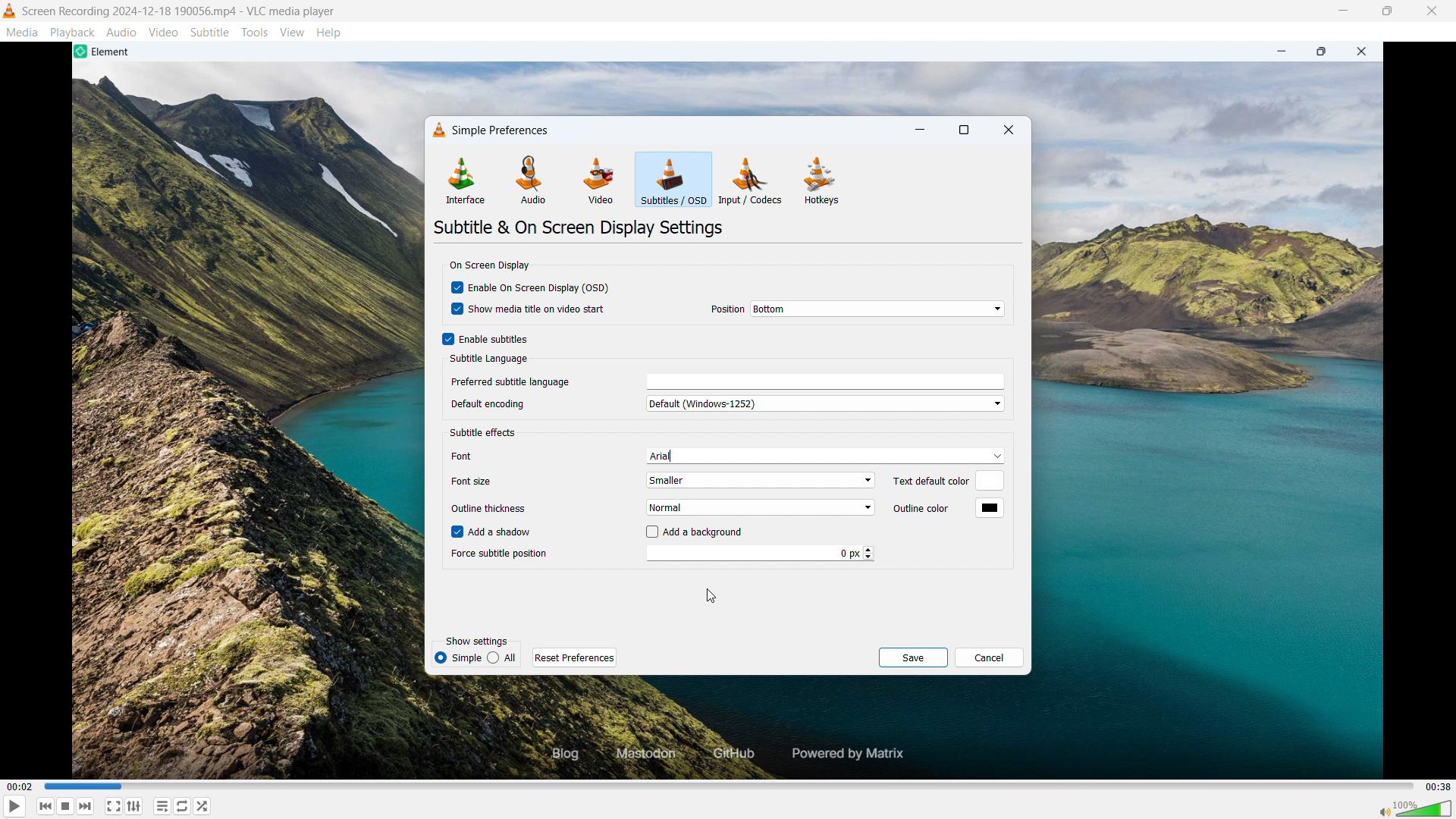 Image resolution: width=1456 pixels, height=819 pixels. I want to click on on screen display, so click(488, 265).